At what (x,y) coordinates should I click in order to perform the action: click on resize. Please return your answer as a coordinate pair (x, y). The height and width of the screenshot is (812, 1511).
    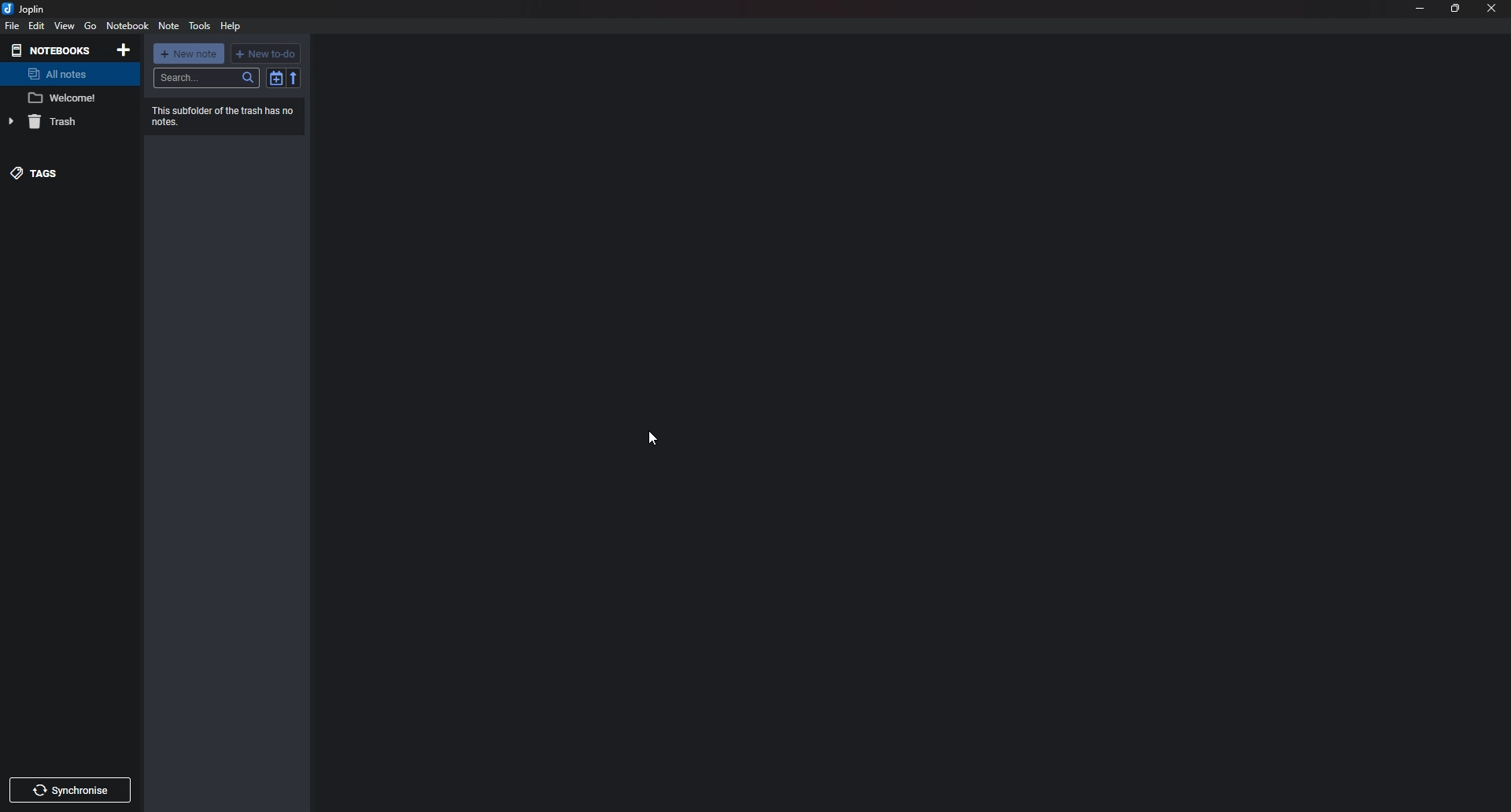
    Looking at the image, I should click on (1456, 9).